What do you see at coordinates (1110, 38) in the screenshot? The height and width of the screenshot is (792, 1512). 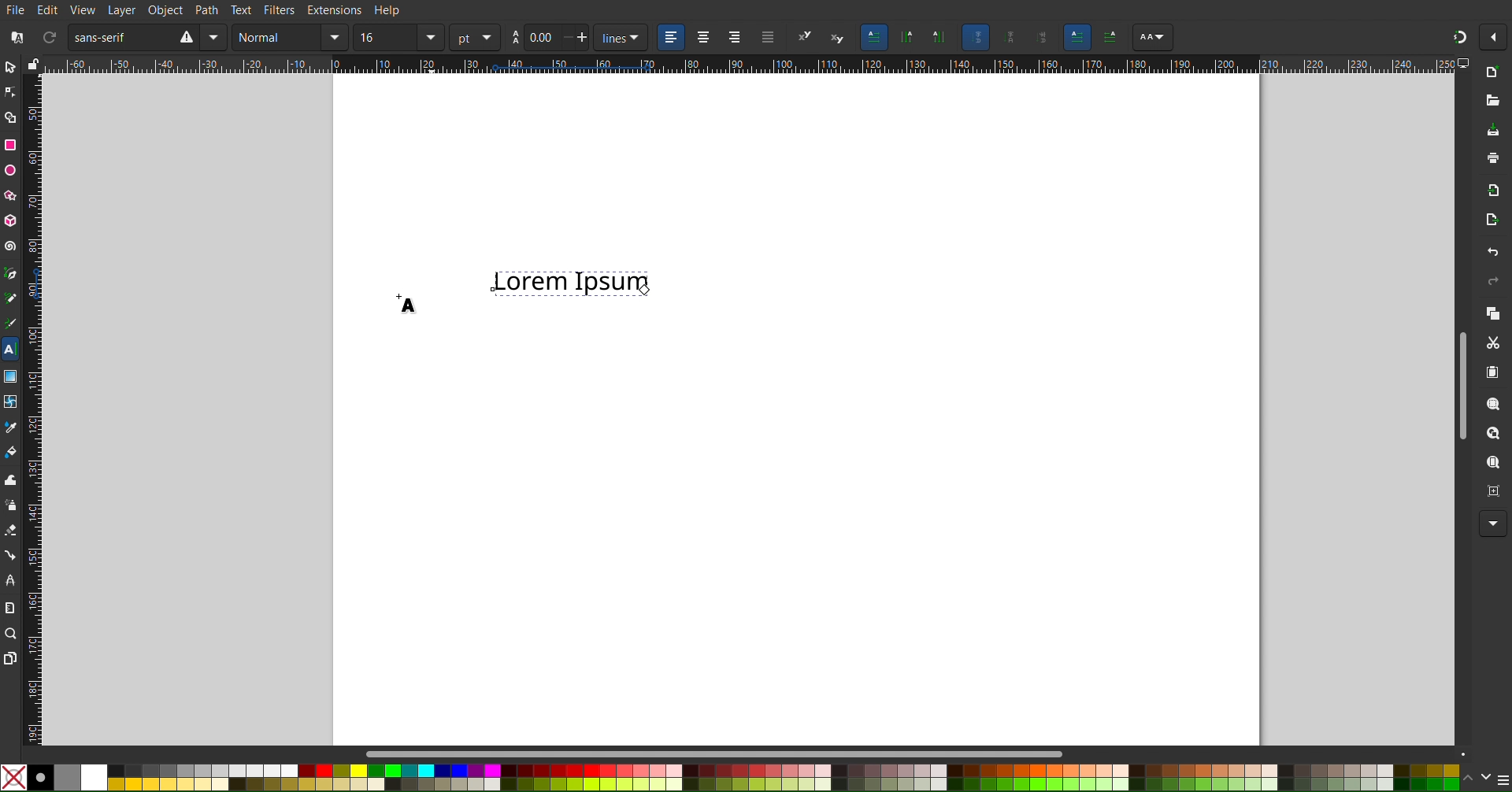 I see `` at bounding box center [1110, 38].